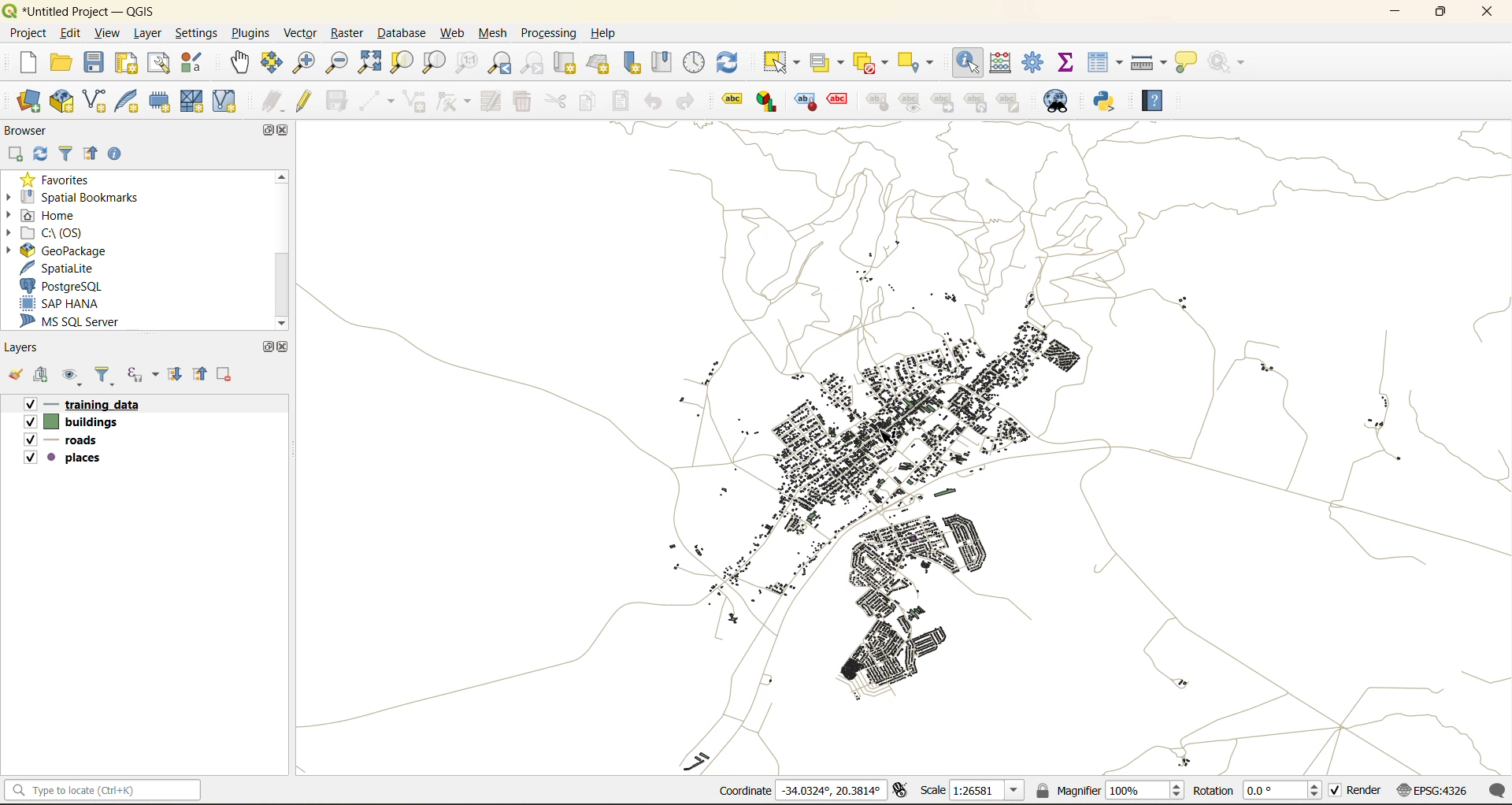  Describe the element at coordinates (66, 268) in the screenshot. I see `spatialite` at that location.